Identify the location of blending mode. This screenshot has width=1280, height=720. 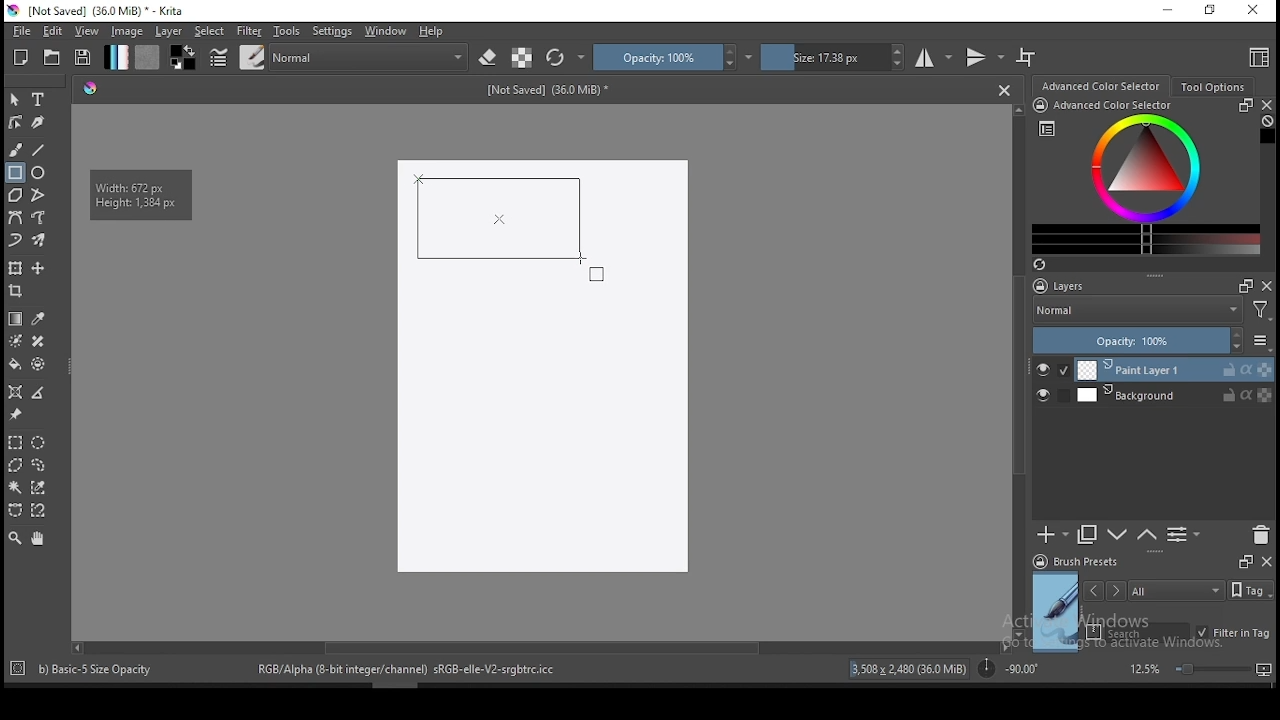
(370, 57).